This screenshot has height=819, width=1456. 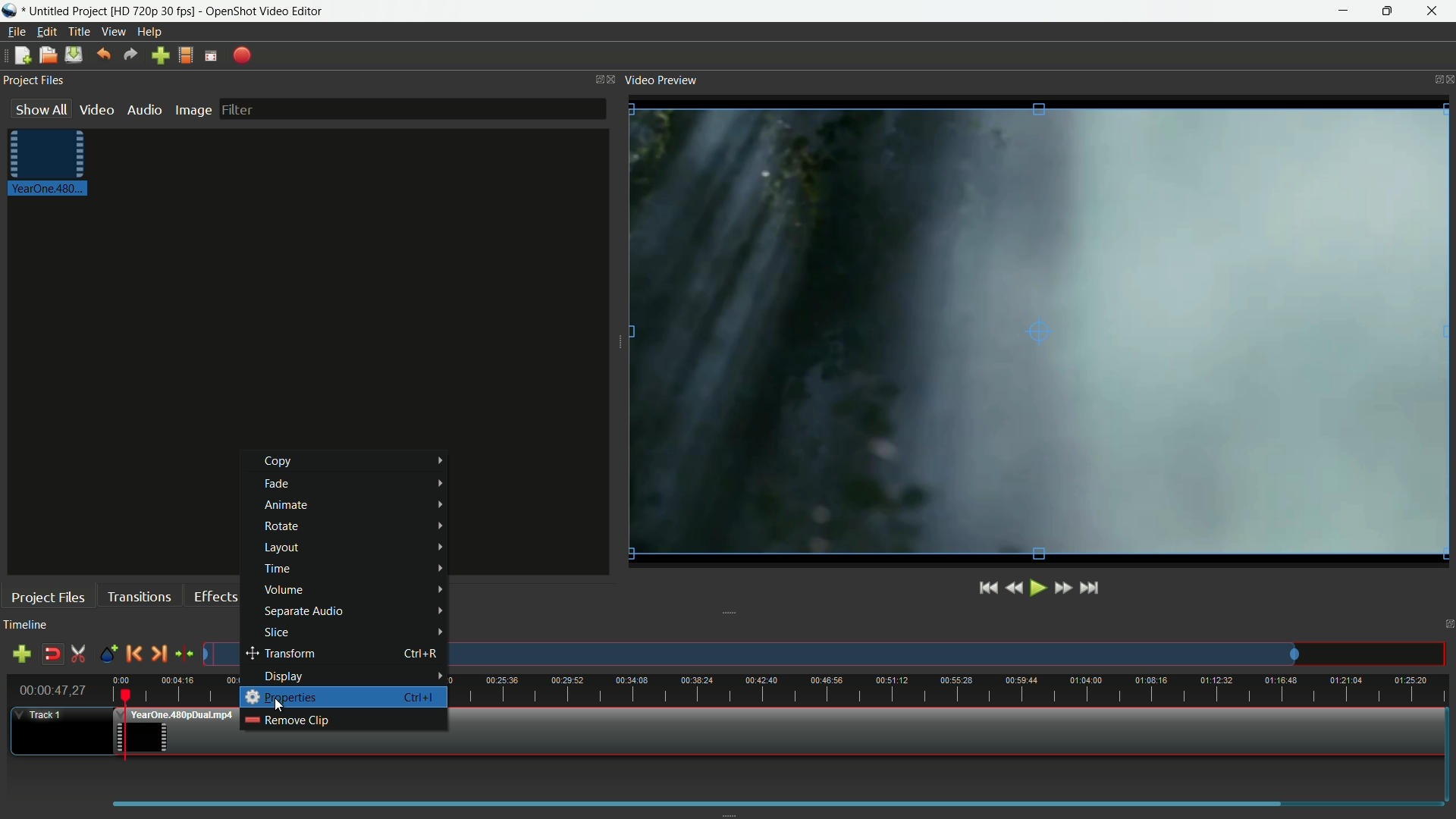 What do you see at coordinates (45, 33) in the screenshot?
I see `edit menu` at bounding box center [45, 33].